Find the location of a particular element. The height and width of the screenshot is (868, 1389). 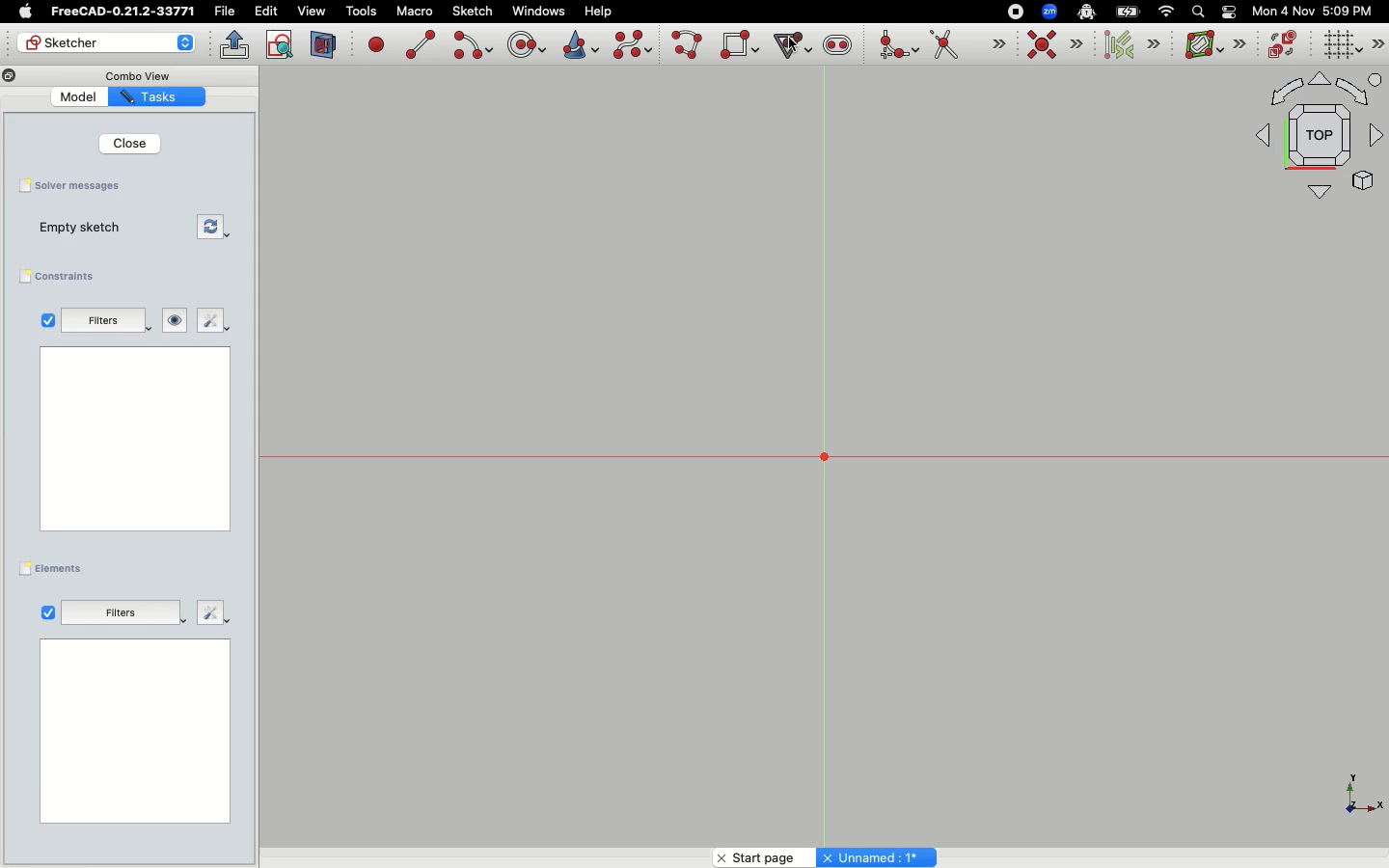

Help is located at coordinates (599, 10).